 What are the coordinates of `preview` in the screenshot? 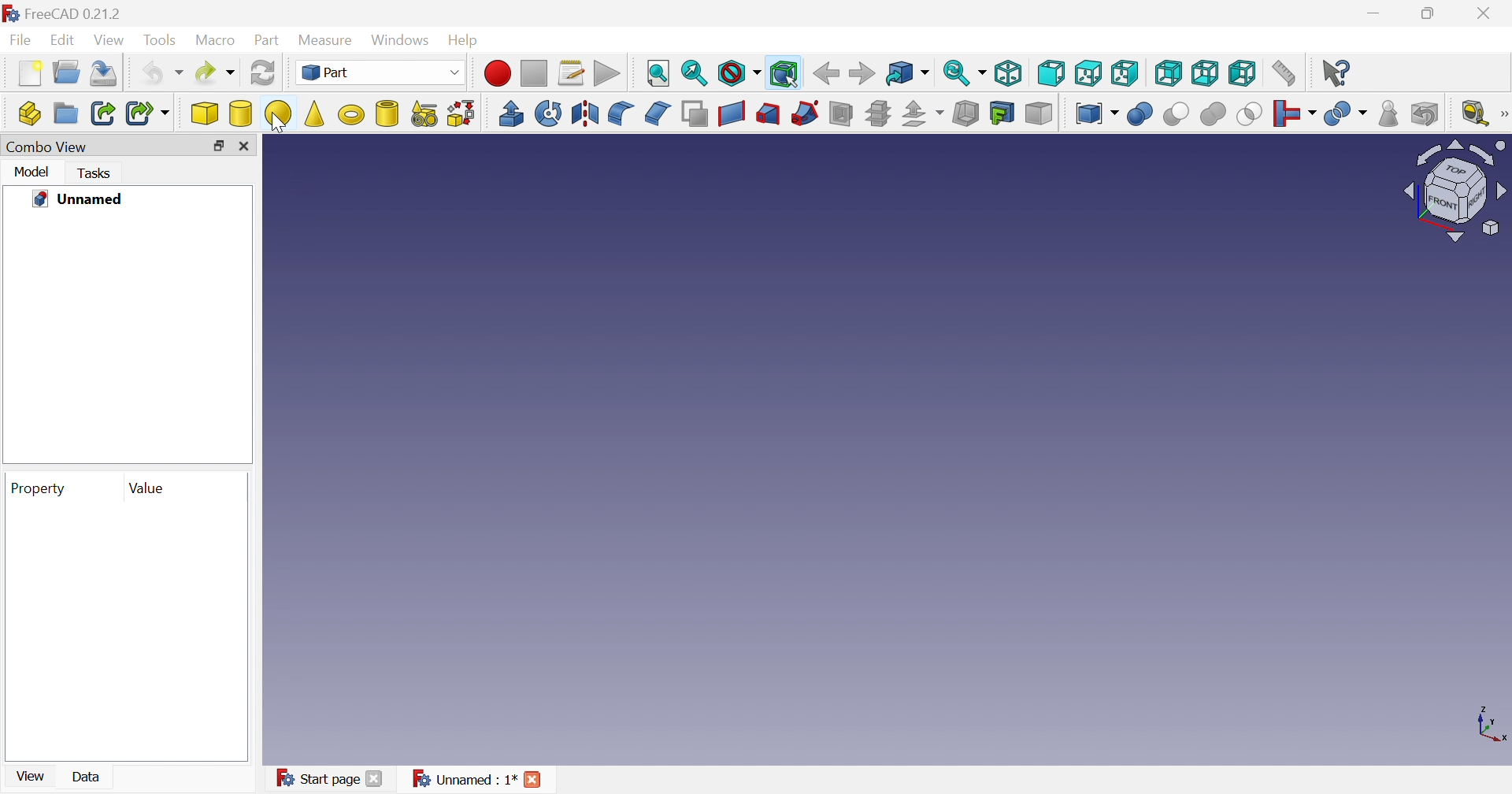 It's located at (125, 633).